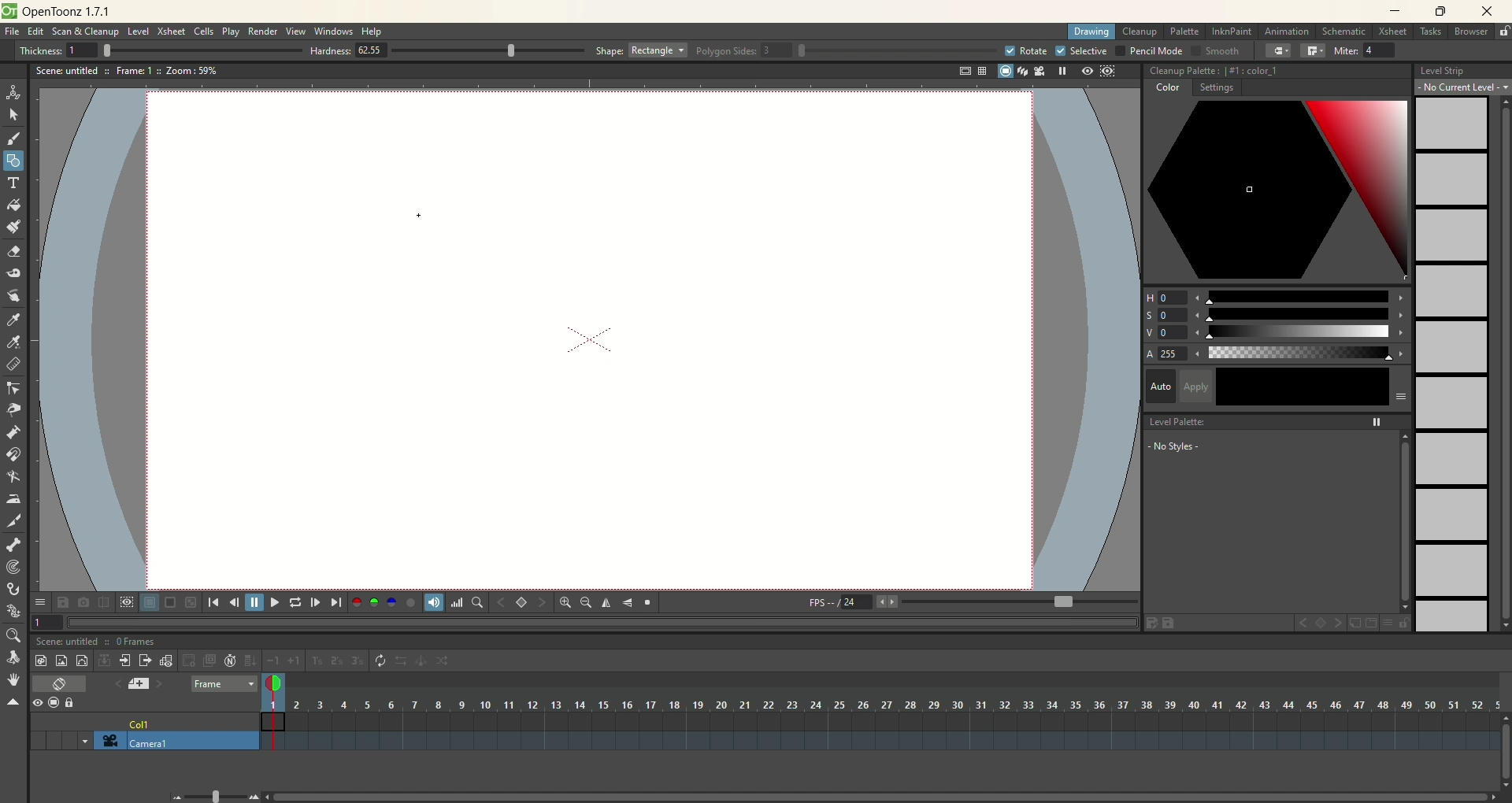  I want to click on tracker , so click(13, 568).